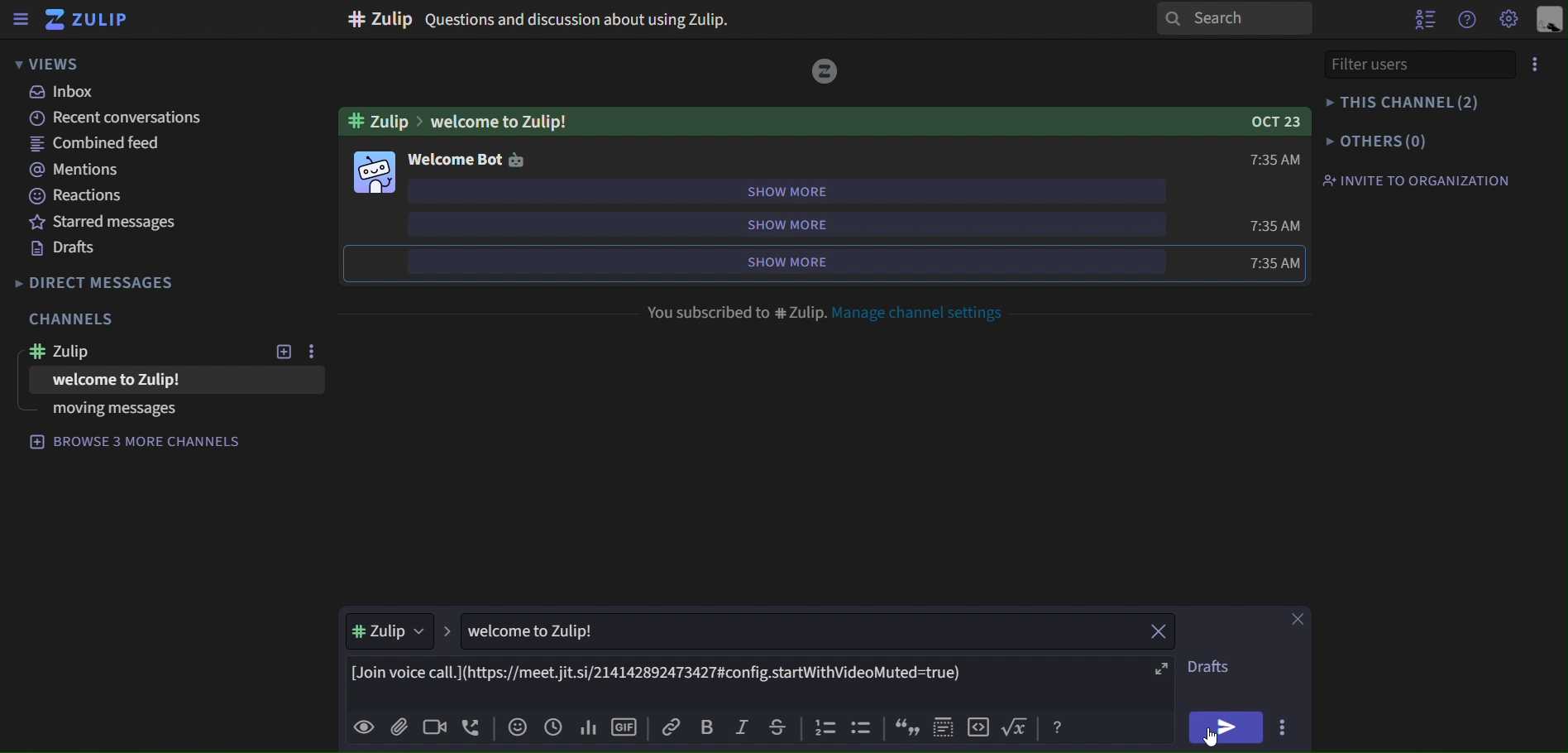 This screenshot has height=753, width=1568. I want to click on fullscreen, so click(1159, 670).